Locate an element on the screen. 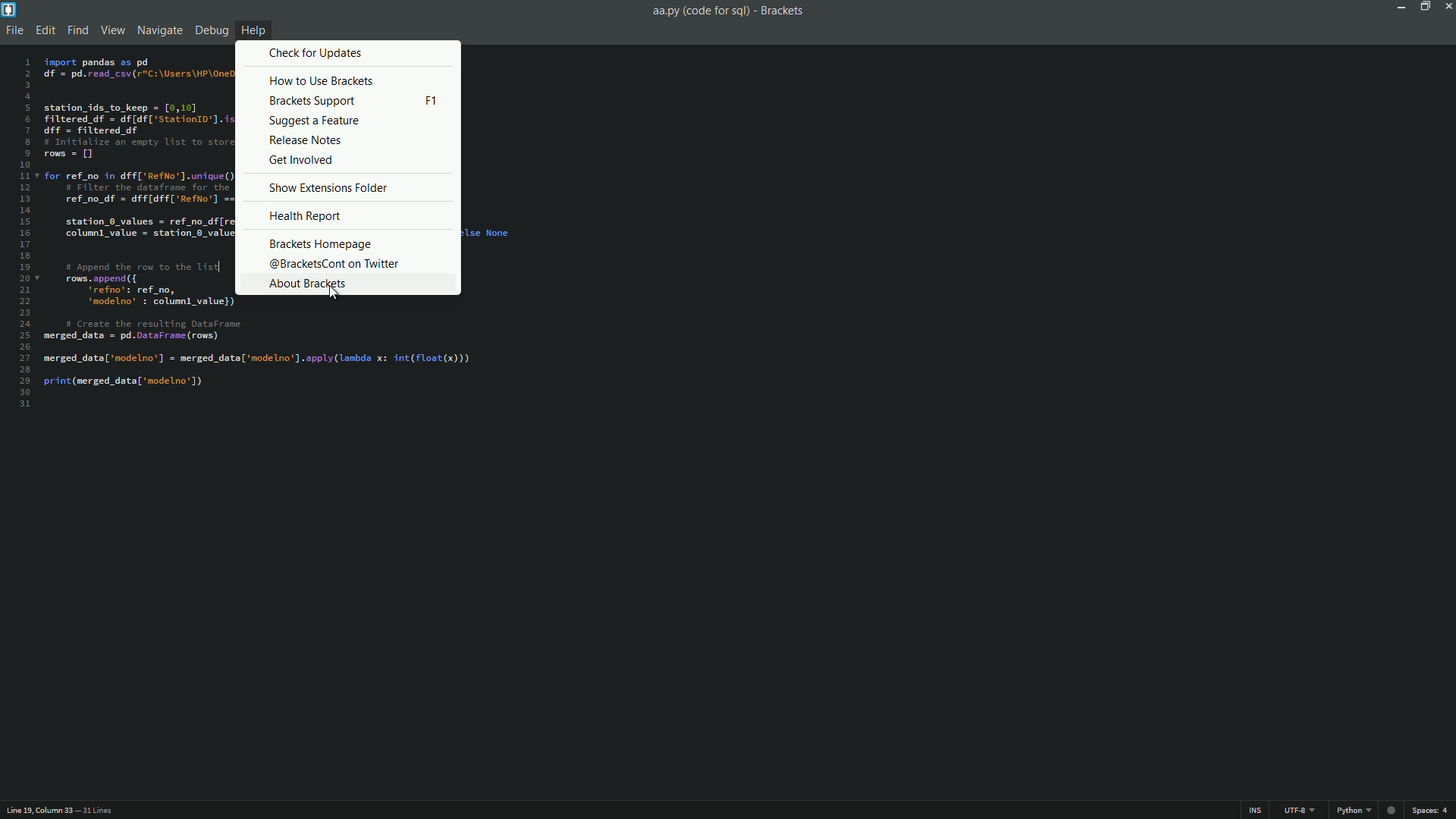 The image size is (1456, 819). cursor is located at coordinates (335, 296).